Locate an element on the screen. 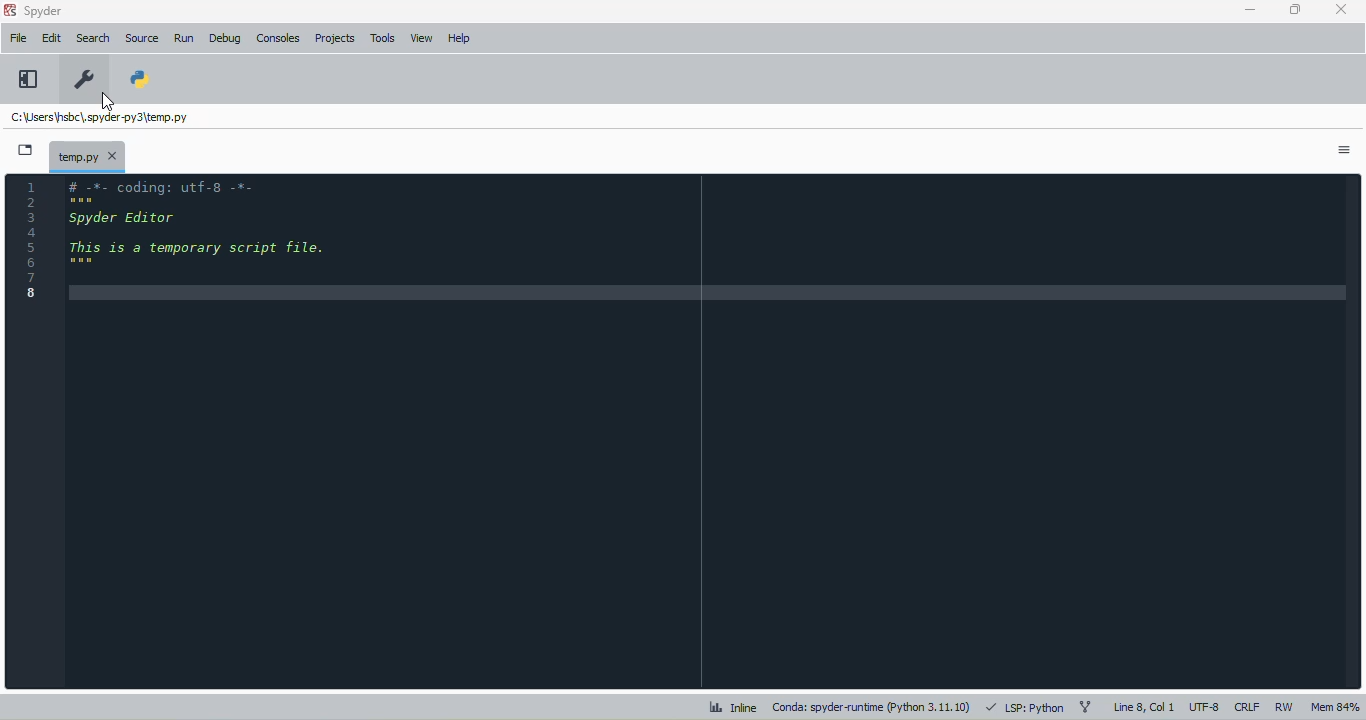 The image size is (1366, 720). code editor is located at coordinates (280, 241).